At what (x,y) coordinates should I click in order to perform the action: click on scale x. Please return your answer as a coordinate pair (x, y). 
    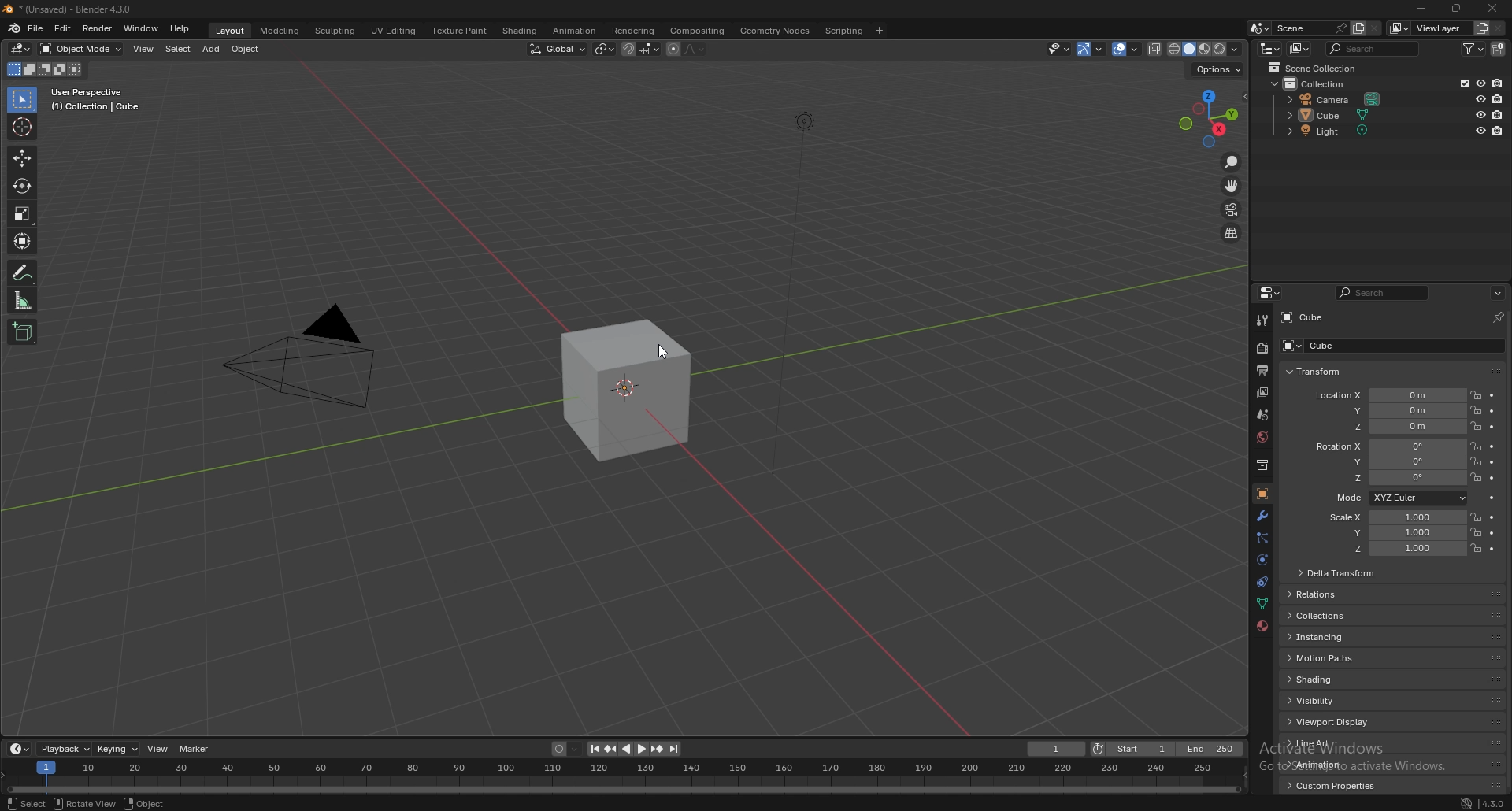
    Looking at the image, I should click on (1394, 517).